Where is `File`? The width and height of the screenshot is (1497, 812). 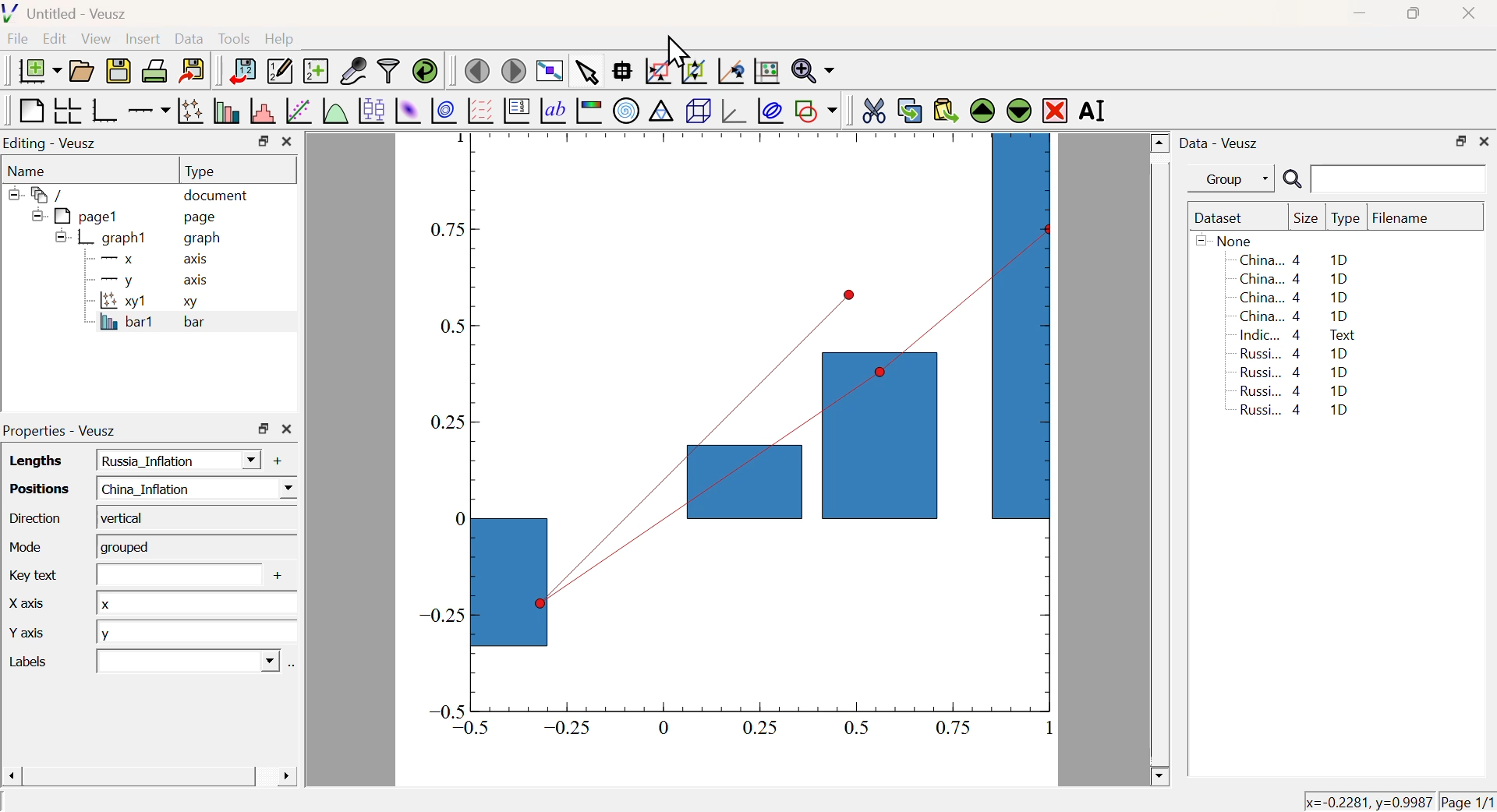
File is located at coordinates (18, 39).